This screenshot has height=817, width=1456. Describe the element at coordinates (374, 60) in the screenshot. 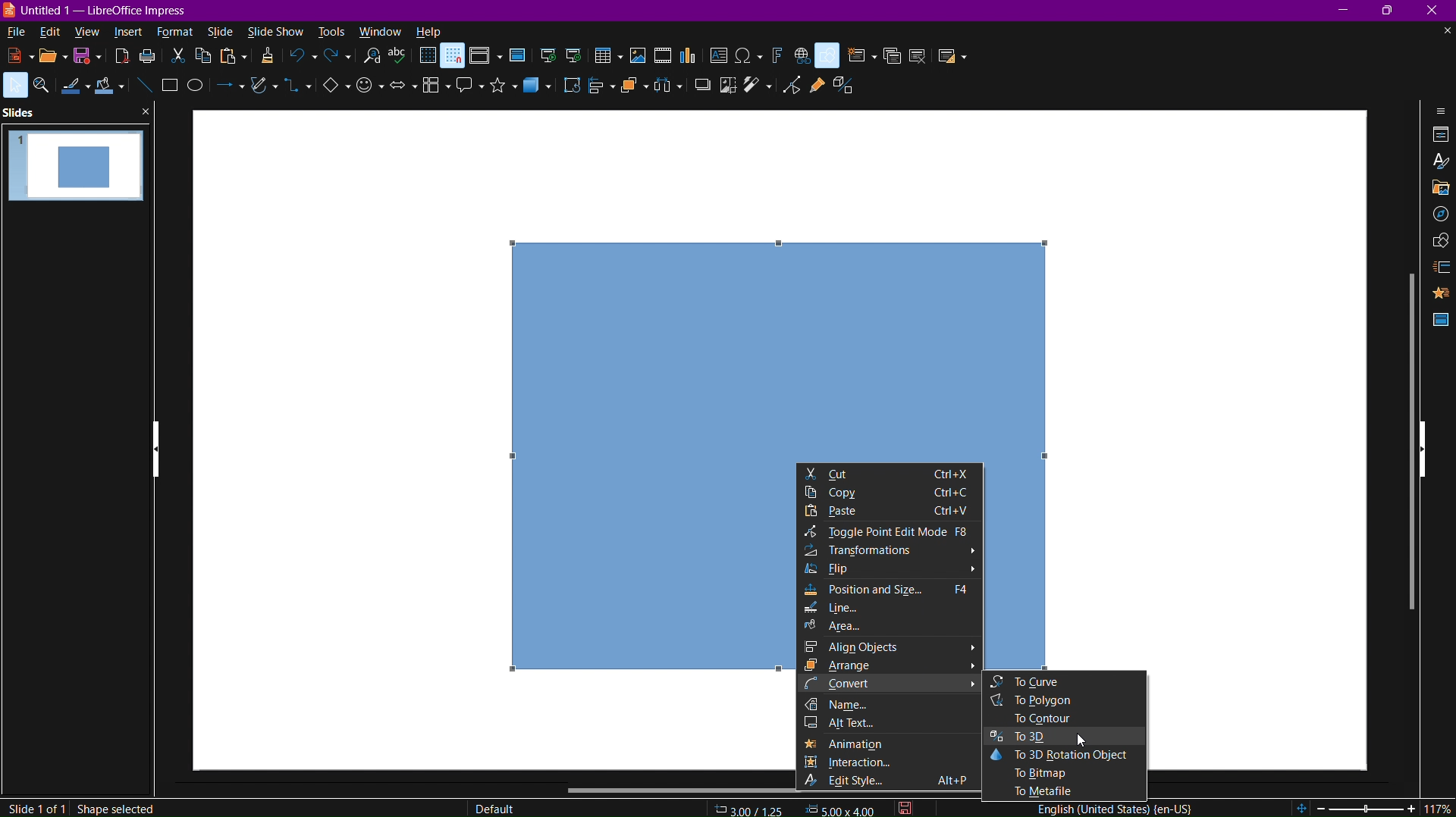

I see `Search and Replace` at that location.